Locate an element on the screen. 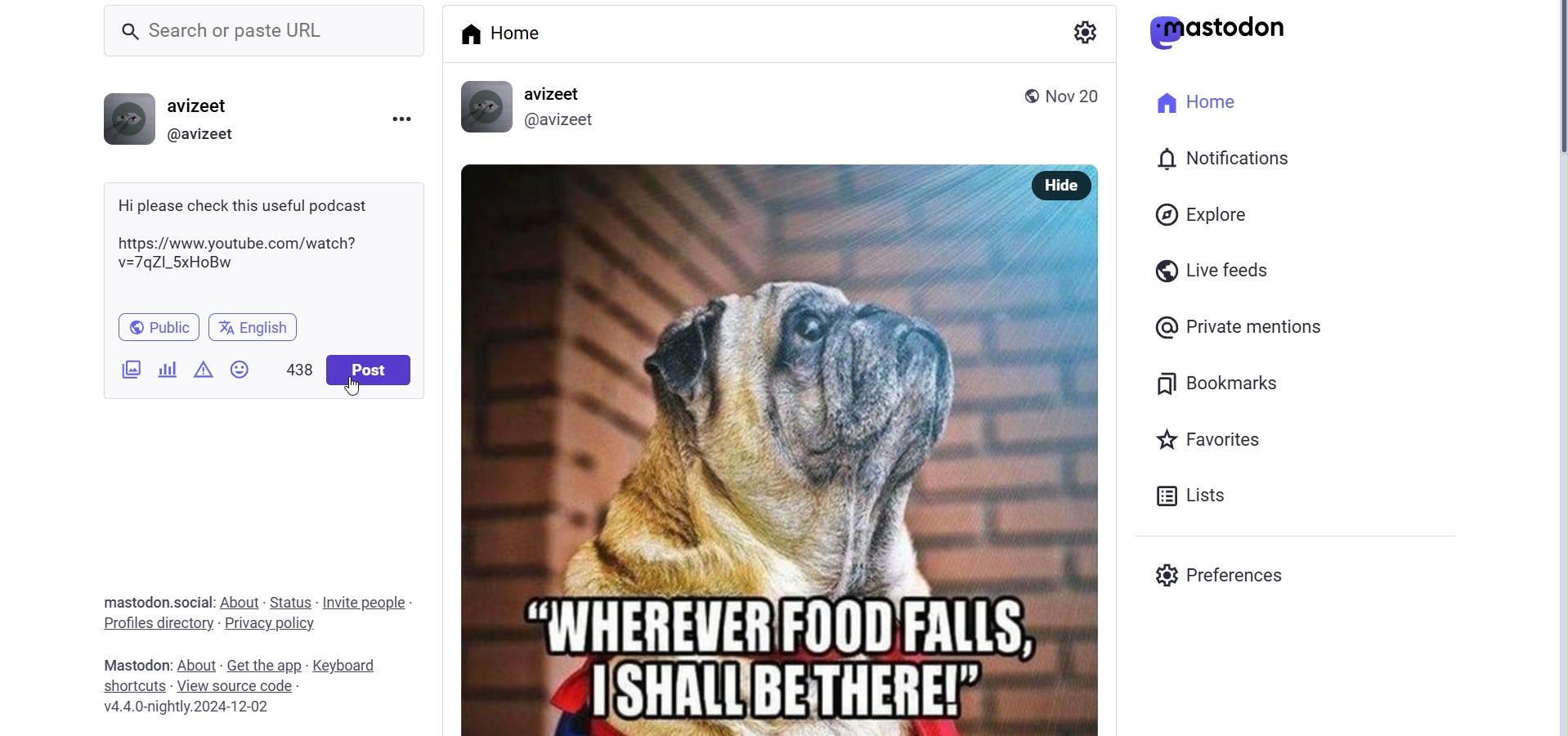 This screenshot has height=736, width=1568. username is located at coordinates (212, 105).